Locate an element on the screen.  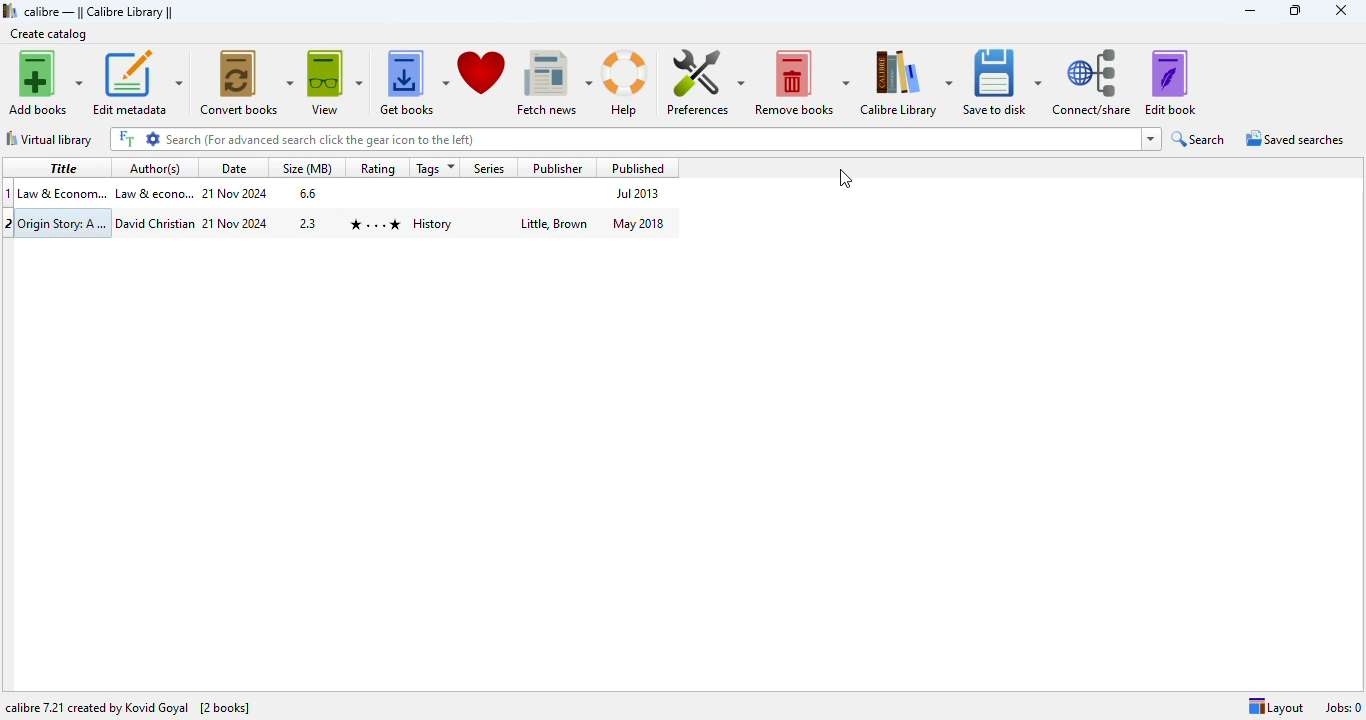
convert books is located at coordinates (248, 81).